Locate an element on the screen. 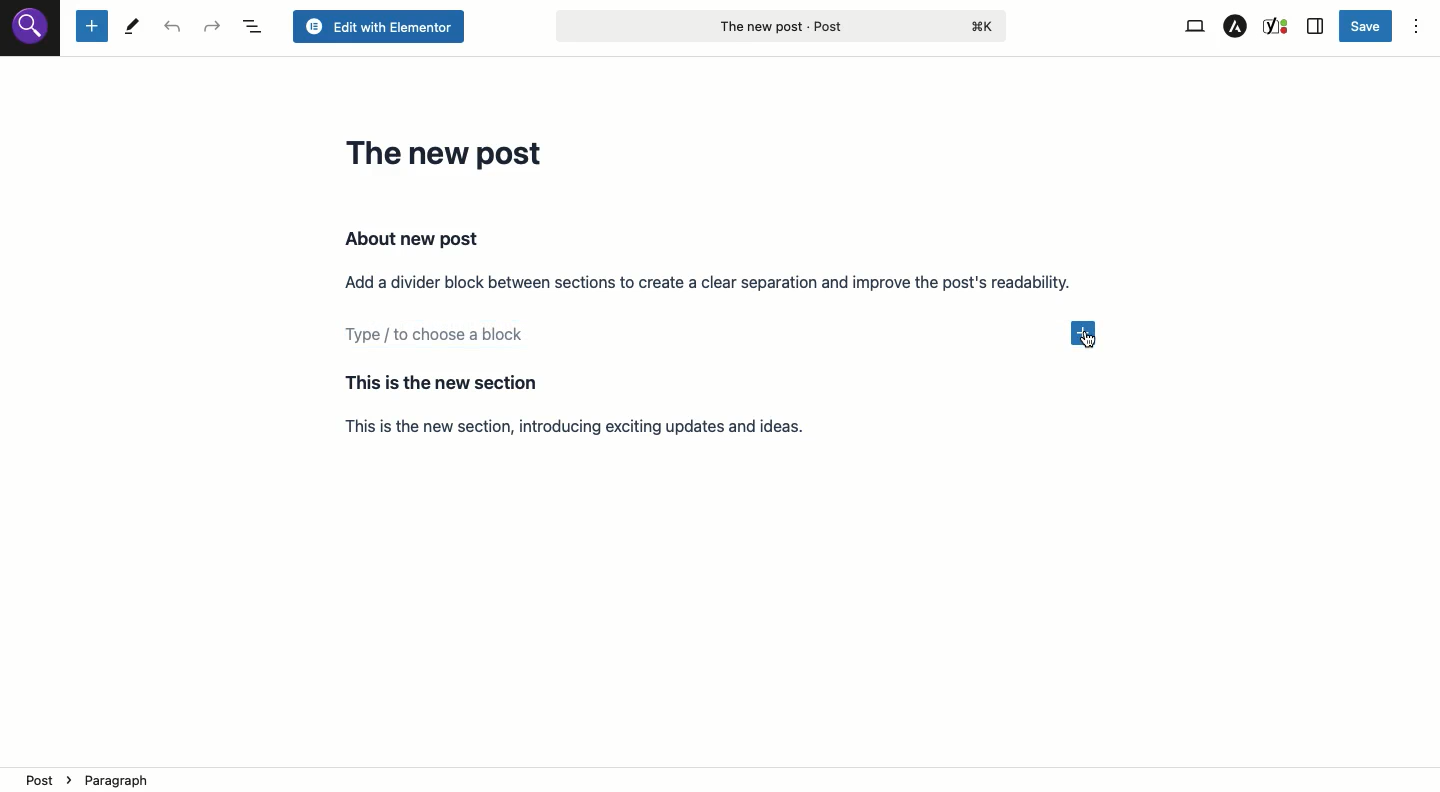 Image resolution: width=1440 pixels, height=792 pixels. Redo is located at coordinates (213, 27).